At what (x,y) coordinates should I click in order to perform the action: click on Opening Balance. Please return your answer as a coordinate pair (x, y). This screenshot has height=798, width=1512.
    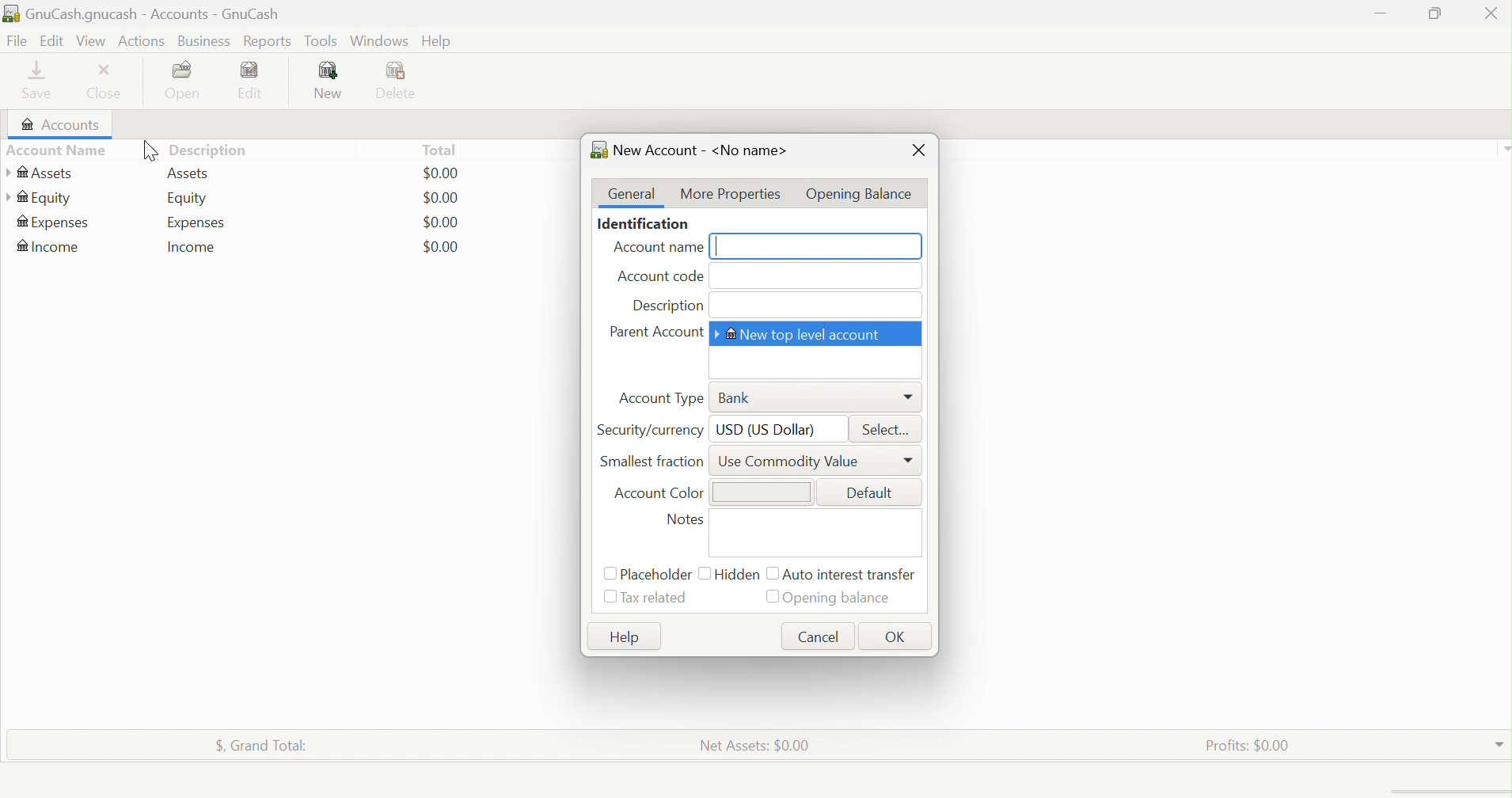
    Looking at the image, I should click on (861, 191).